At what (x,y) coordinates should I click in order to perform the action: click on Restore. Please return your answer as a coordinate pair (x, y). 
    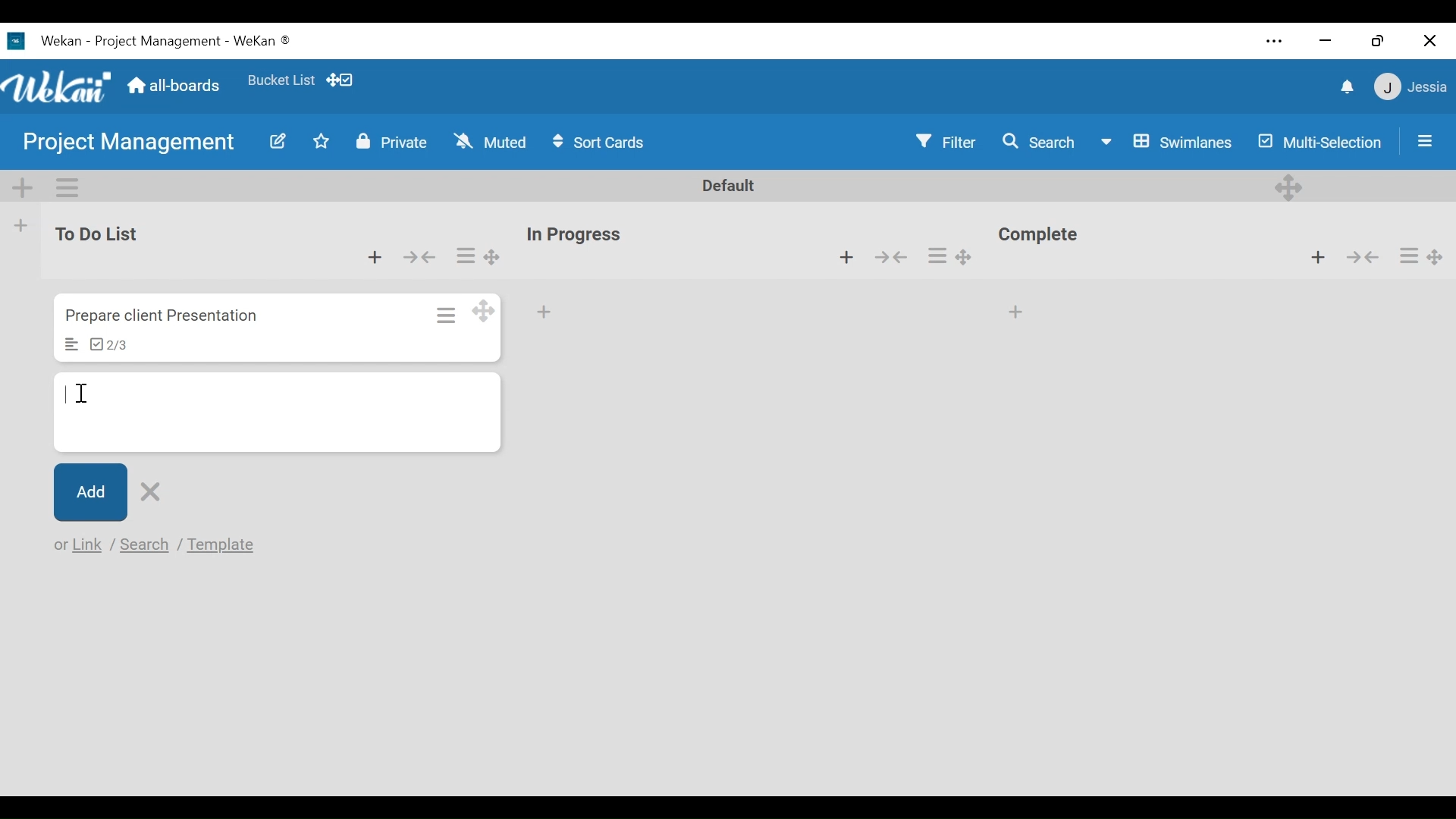
    Looking at the image, I should click on (1375, 36).